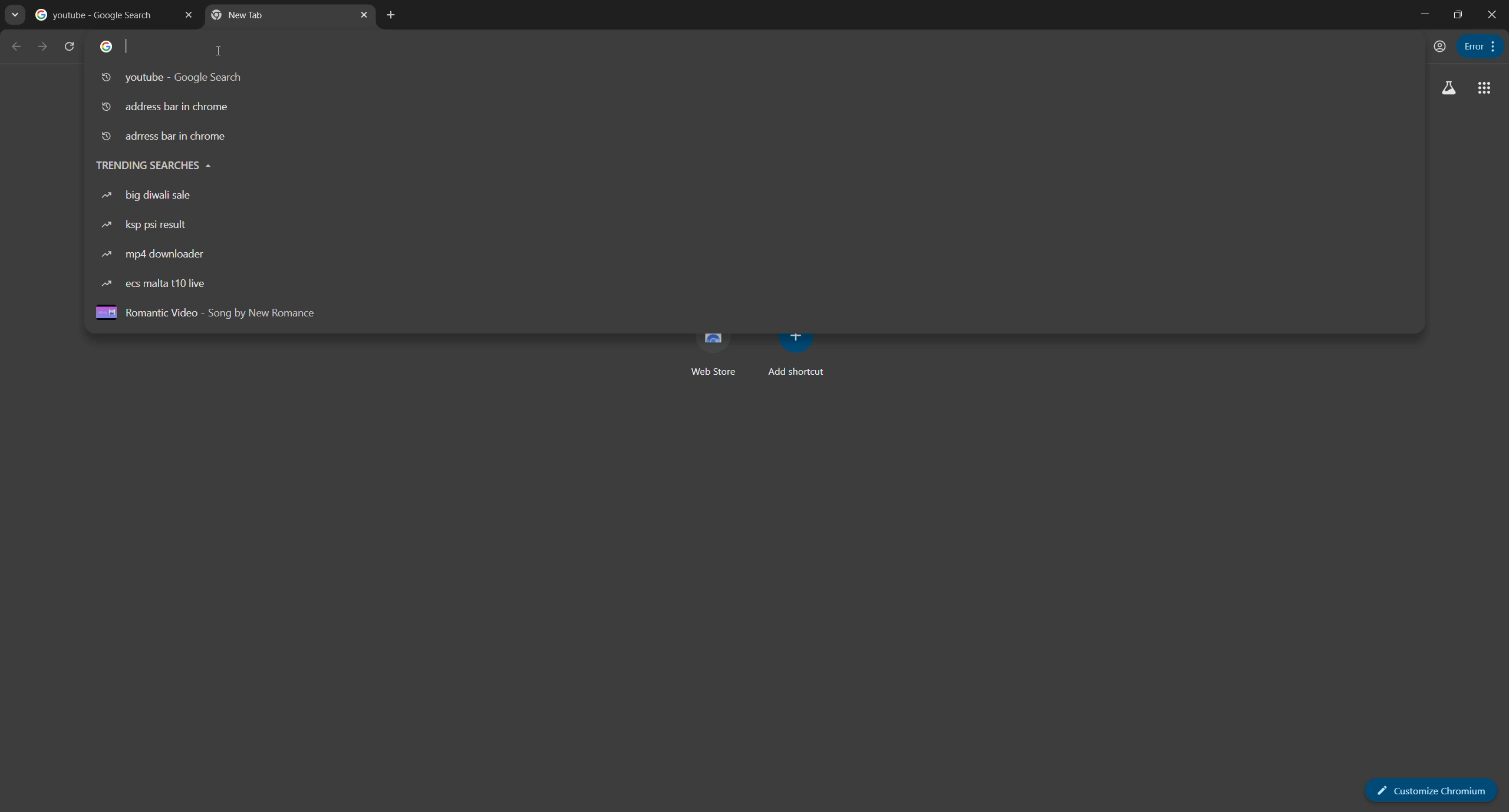 Image resolution: width=1509 pixels, height=812 pixels. I want to click on account, so click(1438, 46).